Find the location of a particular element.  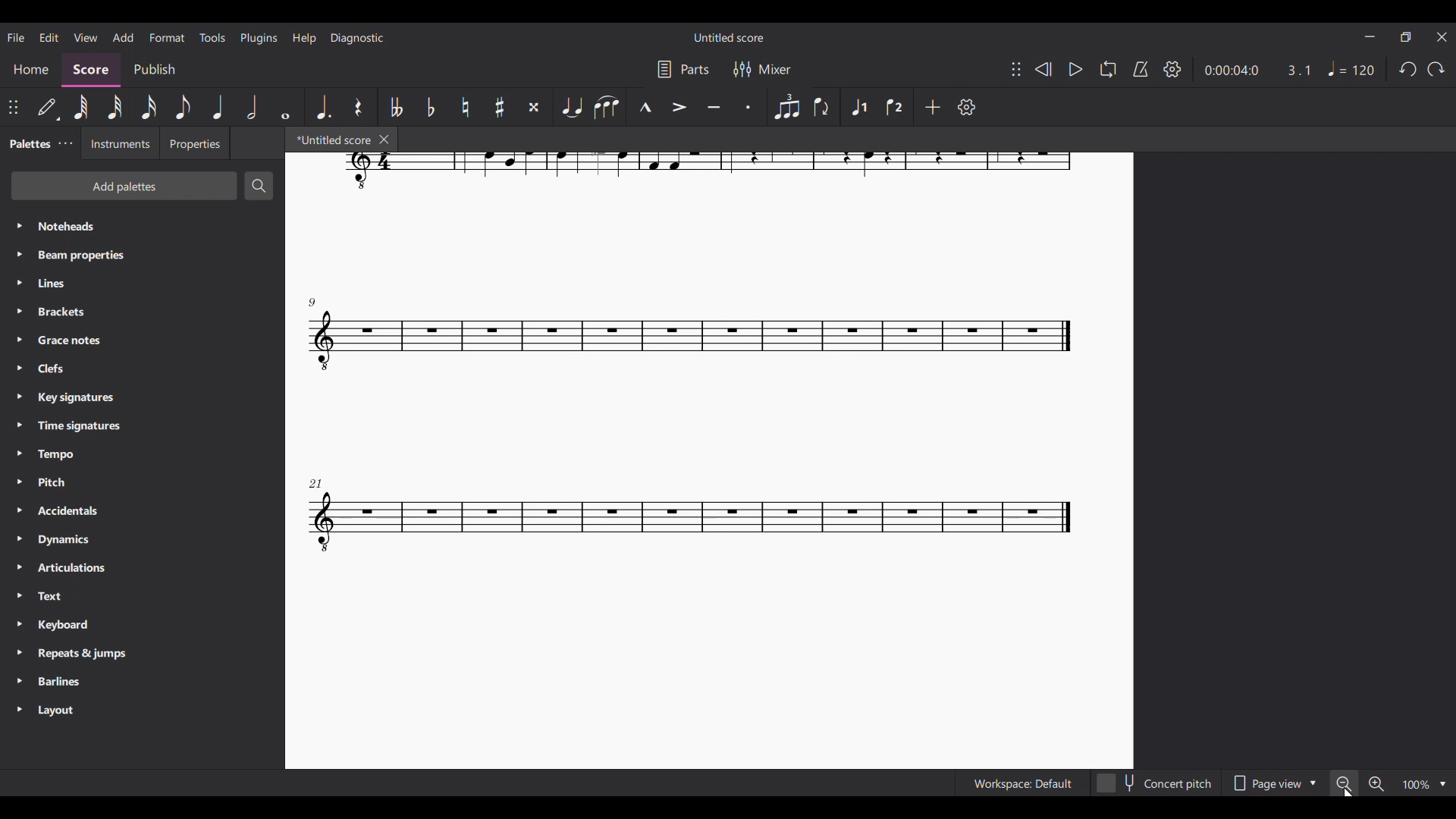

Settings is located at coordinates (1173, 69).